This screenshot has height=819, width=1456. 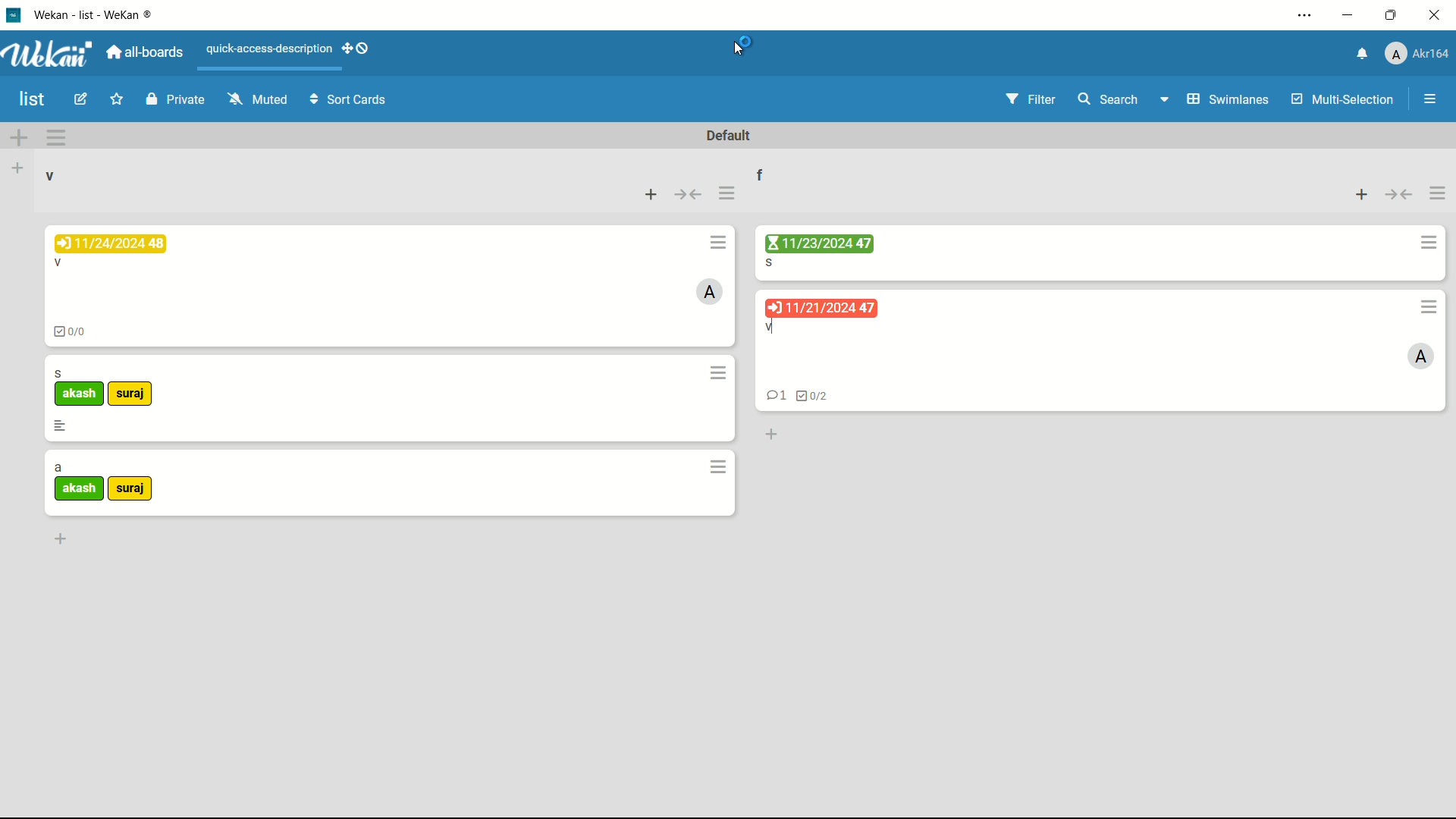 What do you see at coordinates (58, 265) in the screenshot?
I see `card name` at bounding box center [58, 265].